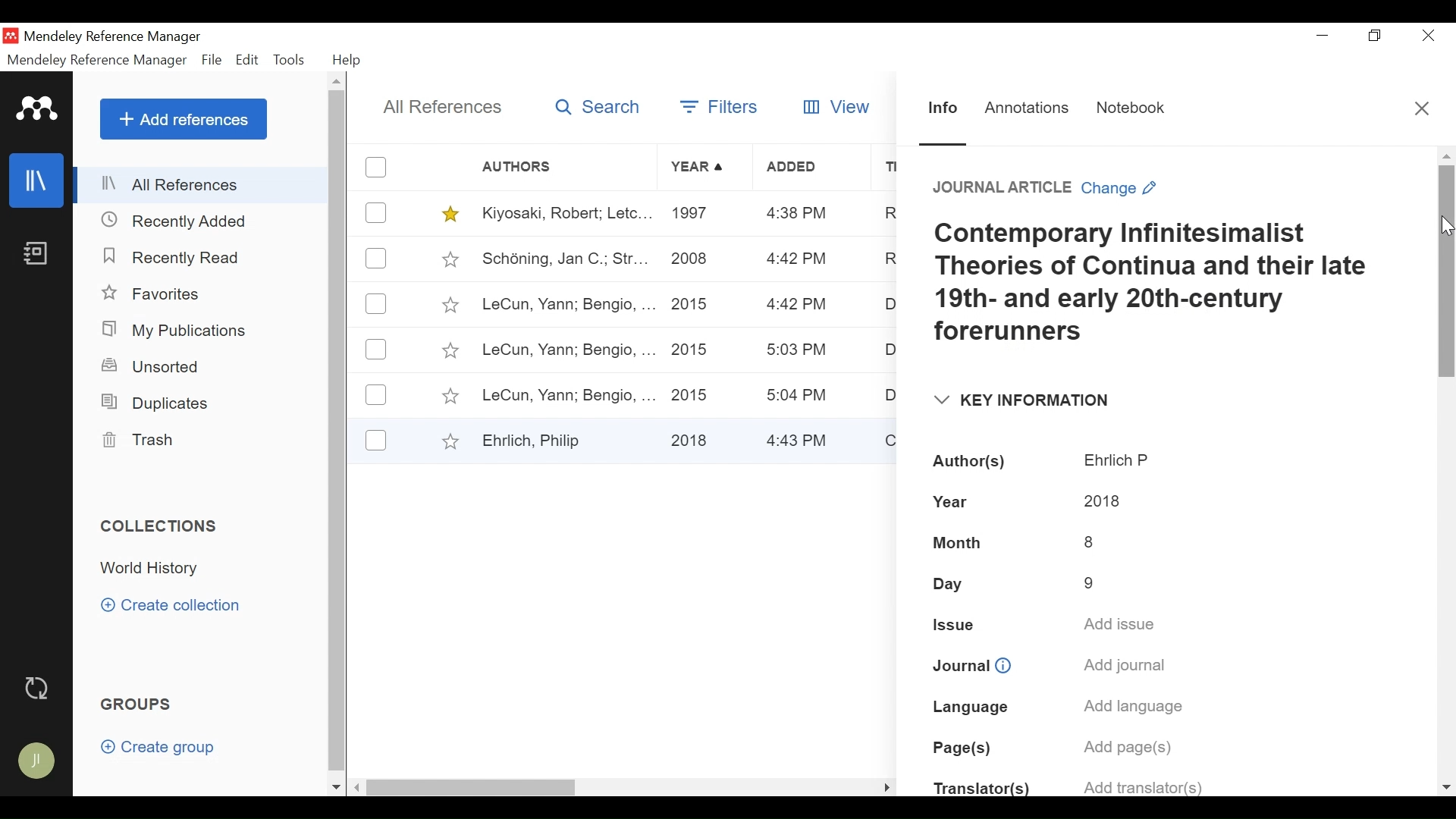 Image resolution: width=1456 pixels, height=819 pixels. What do you see at coordinates (564, 214) in the screenshot?
I see `Kiyosaki, Robert; Letc...` at bounding box center [564, 214].